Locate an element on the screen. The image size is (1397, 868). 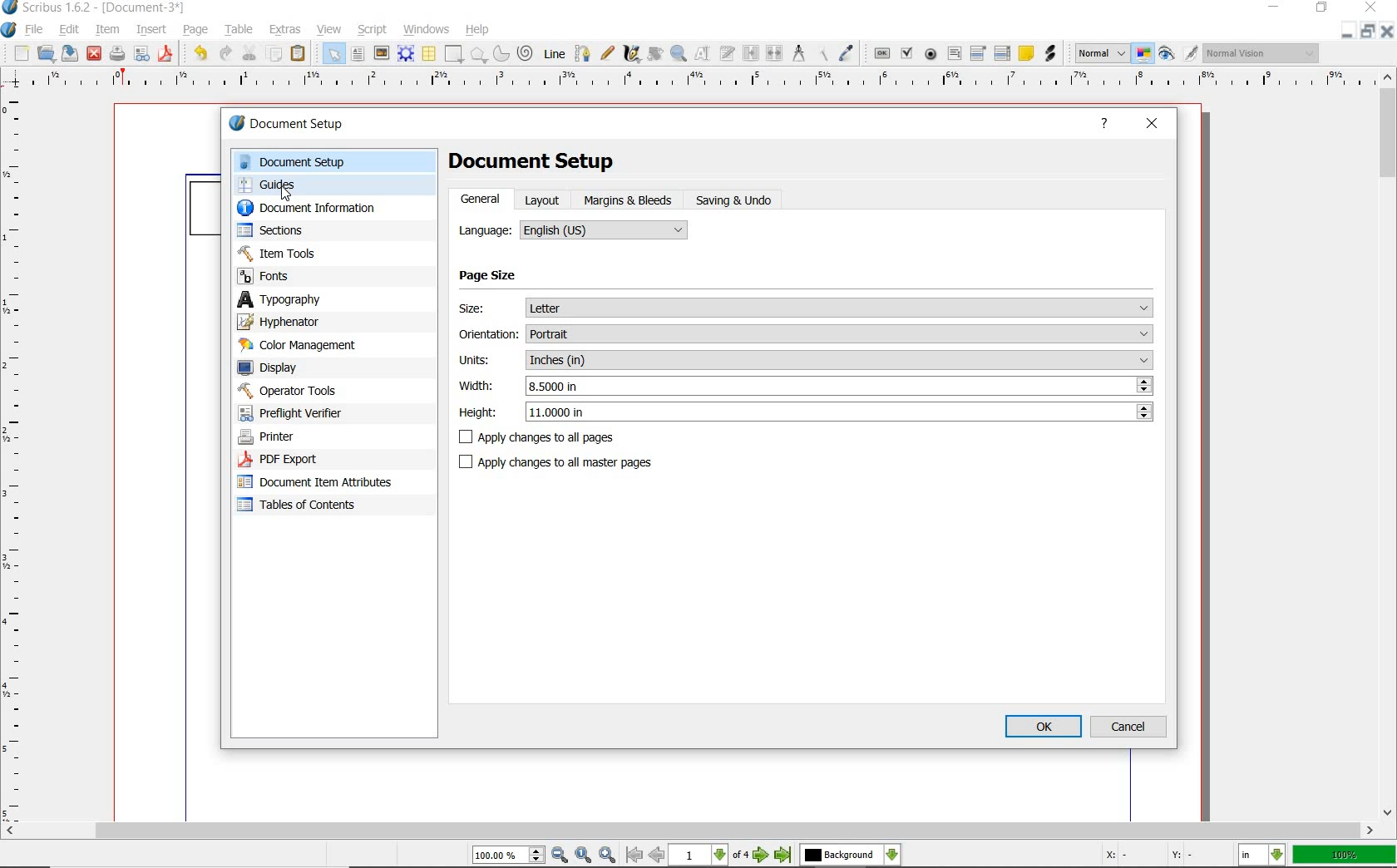
open is located at coordinates (46, 53).